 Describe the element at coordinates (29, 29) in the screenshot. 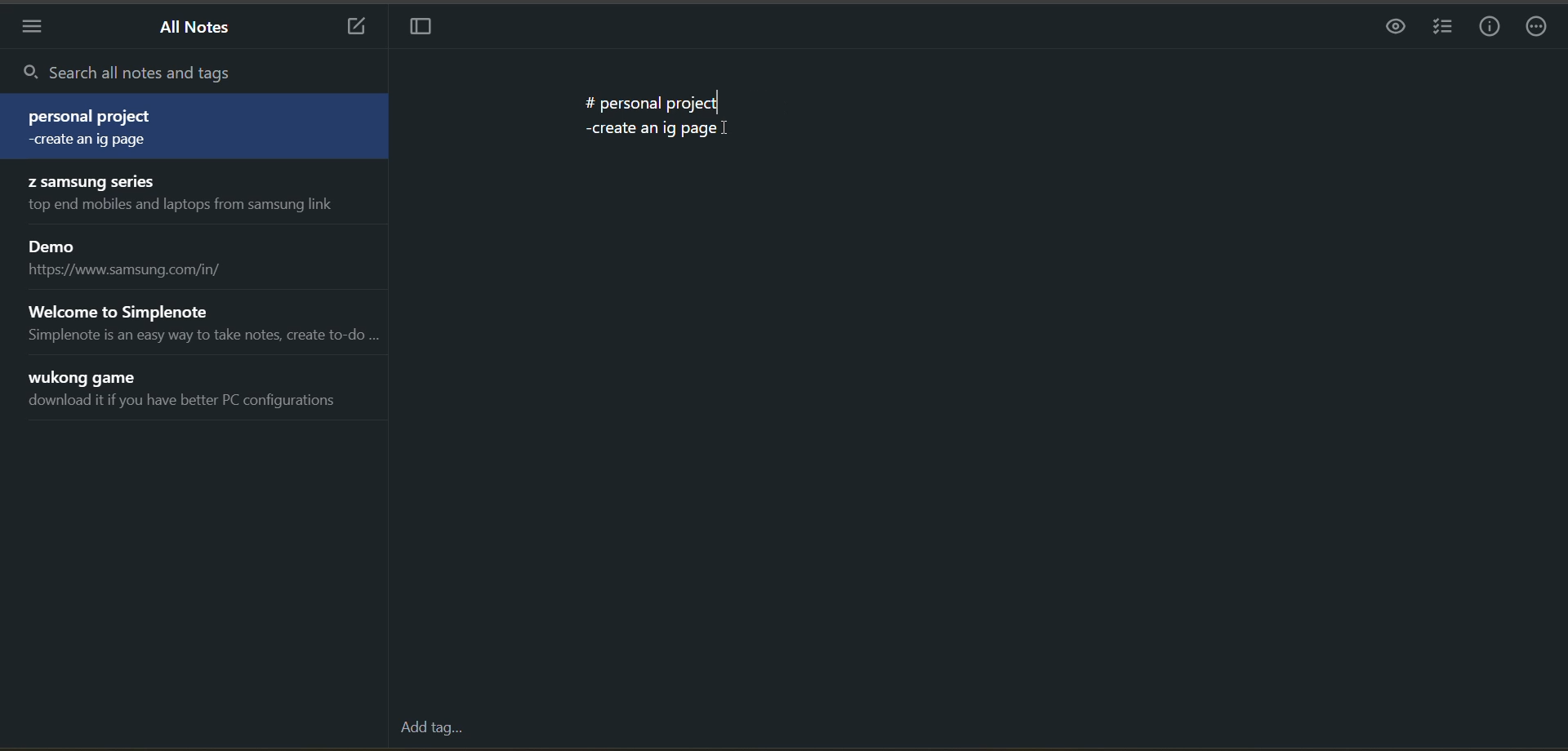

I see `menu` at that location.